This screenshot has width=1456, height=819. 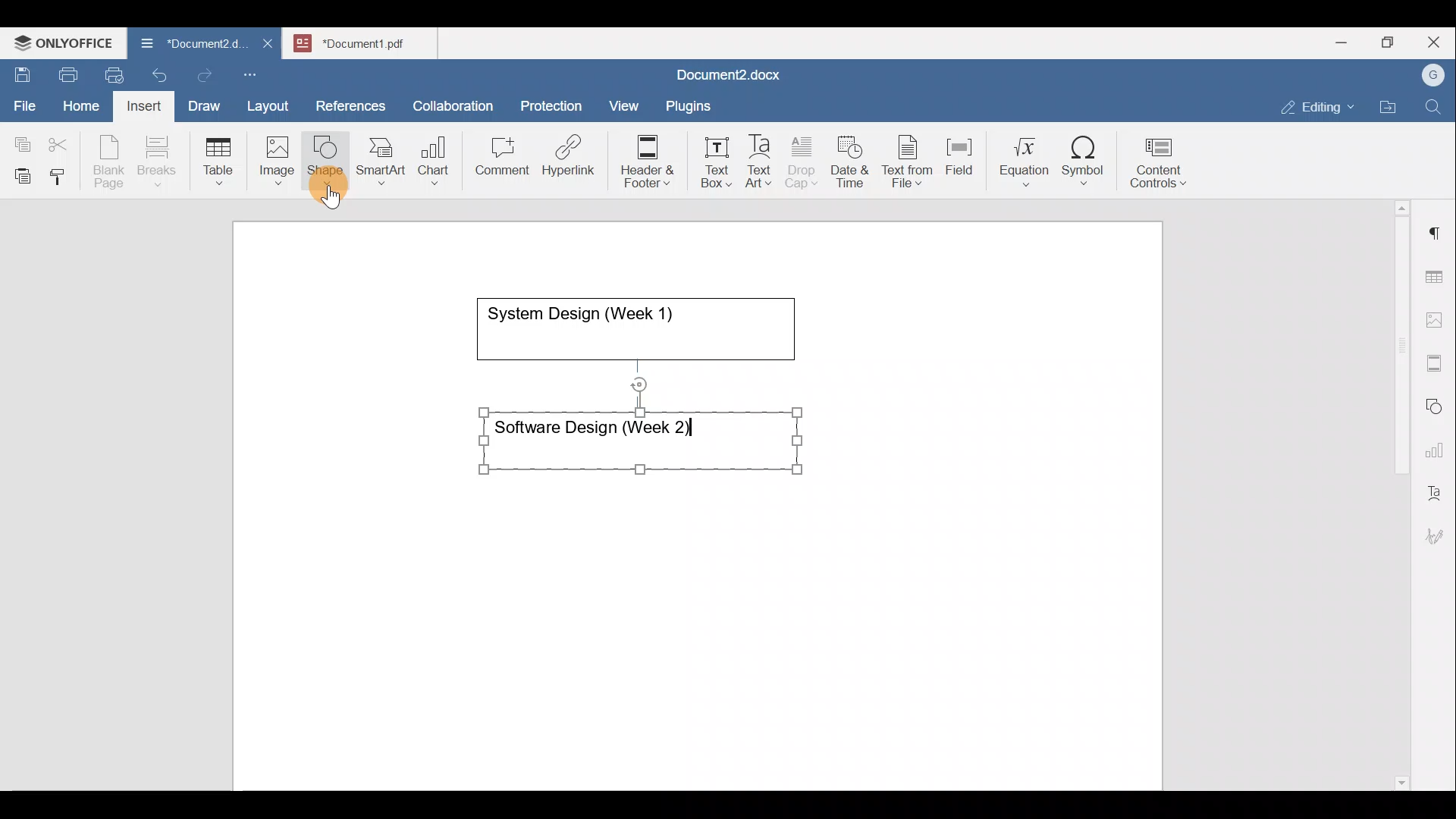 I want to click on Text from file, so click(x=910, y=160).